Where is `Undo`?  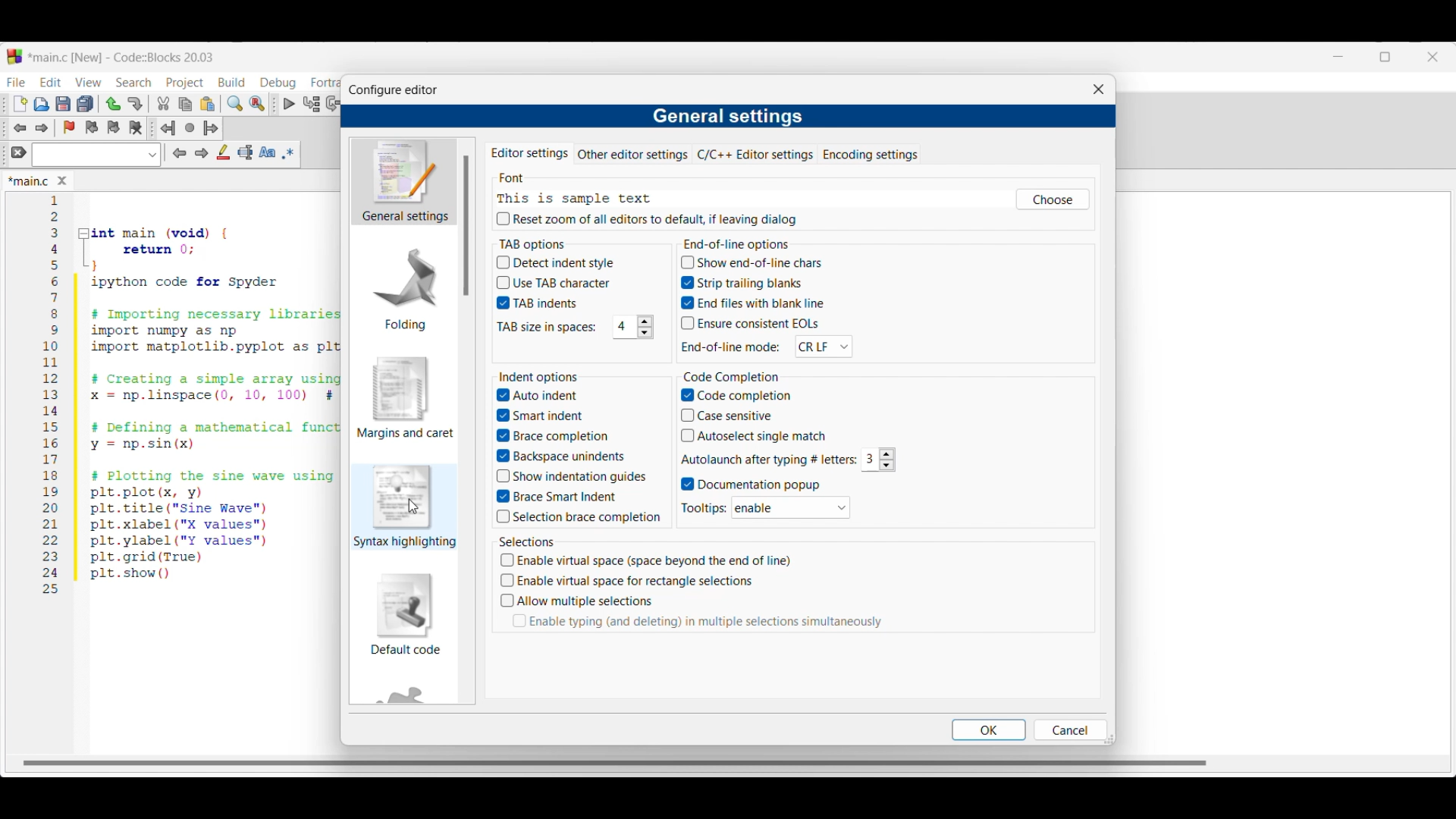 Undo is located at coordinates (113, 104).